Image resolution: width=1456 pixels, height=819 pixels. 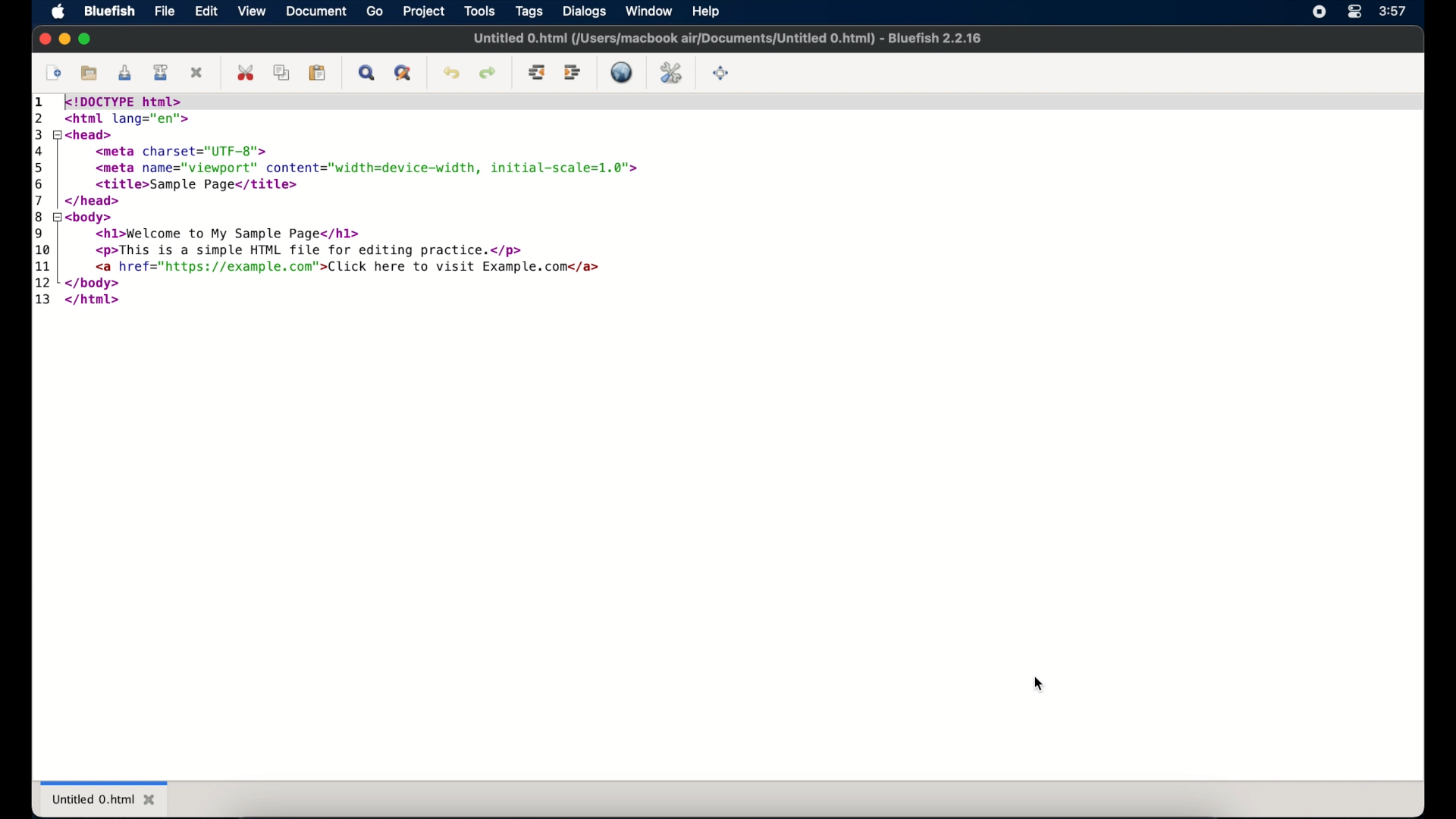 I want to click on preview in browser, so click(x=623, y=72).